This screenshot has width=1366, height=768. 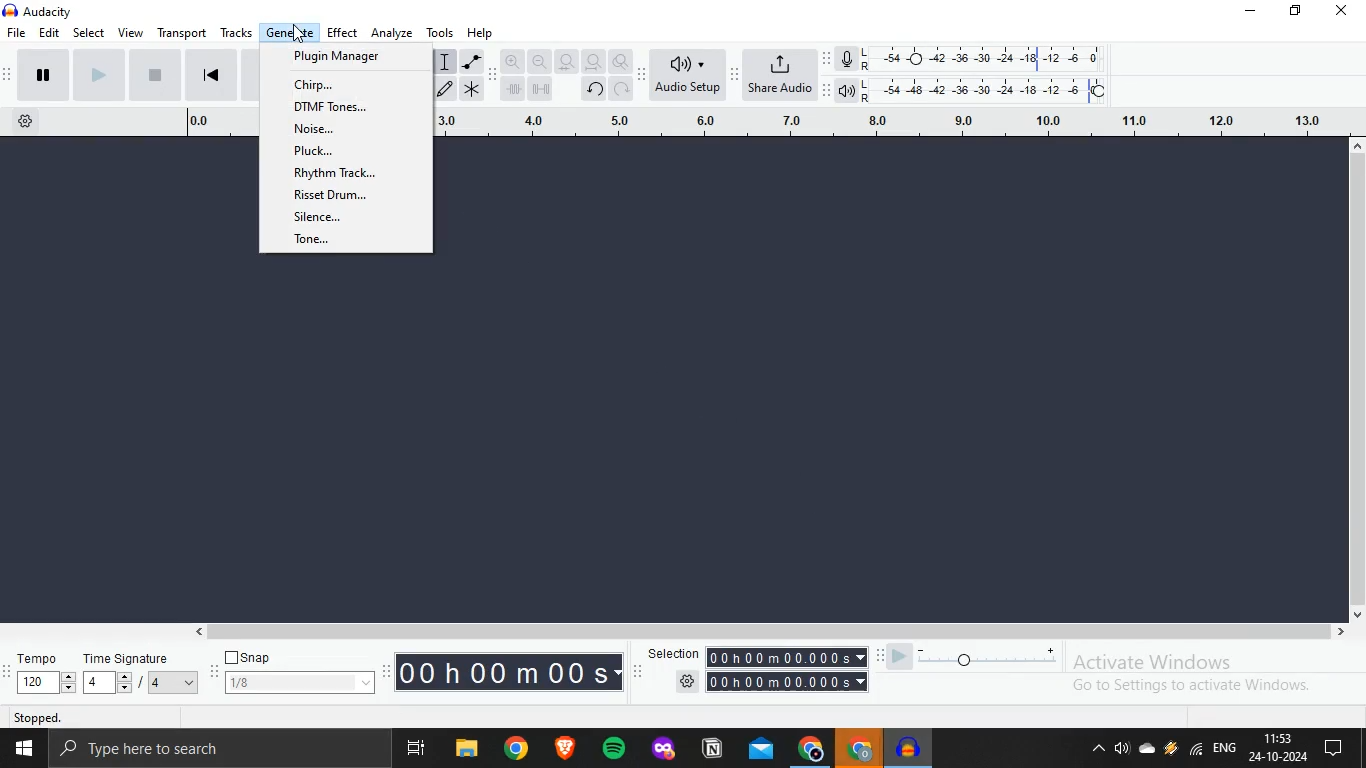 What do you see at coordinates (622, 91) in the screenshot?
I see `Refresh` at bounding box center [622, 91].